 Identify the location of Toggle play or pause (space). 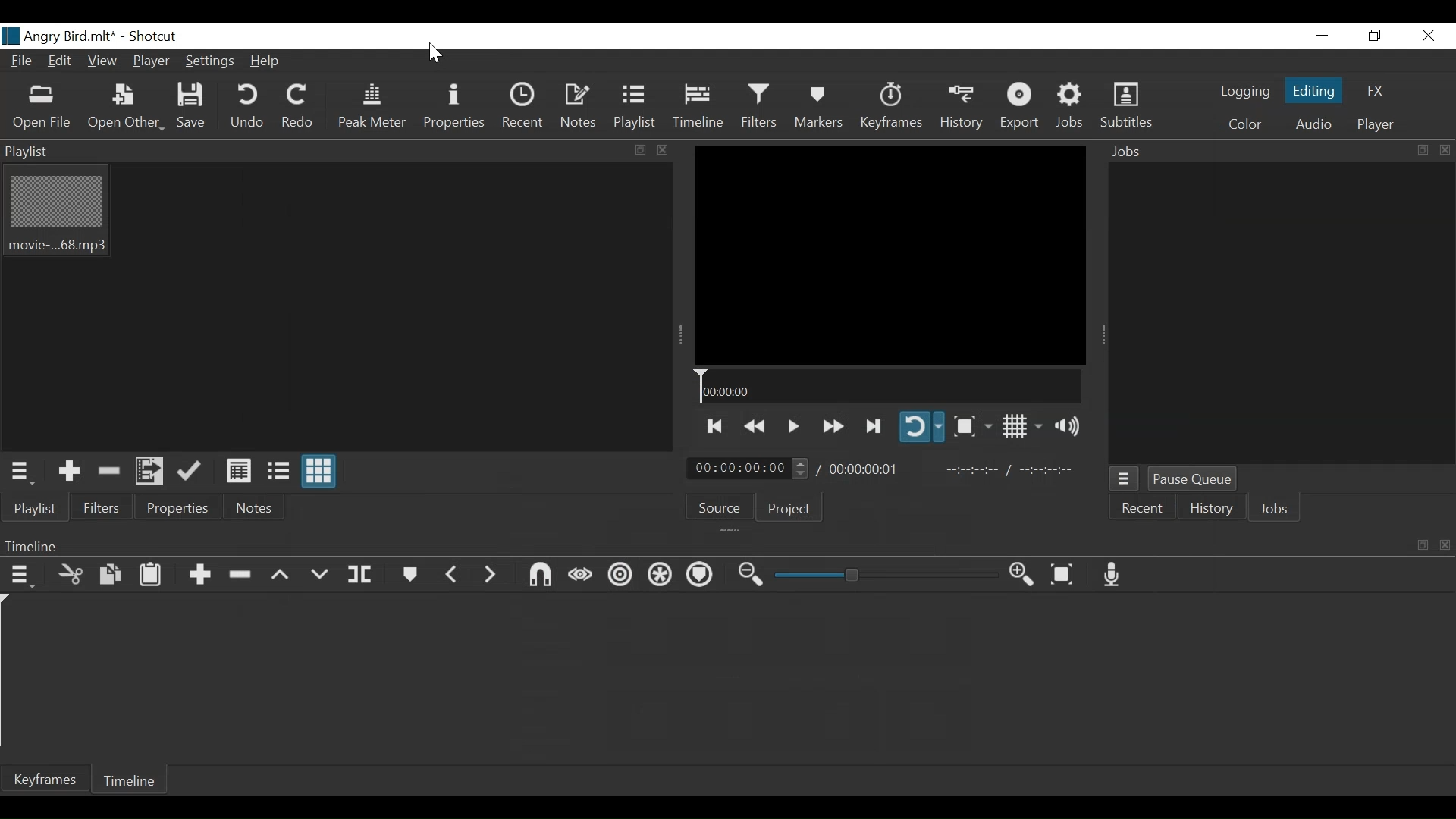
(792, 423).